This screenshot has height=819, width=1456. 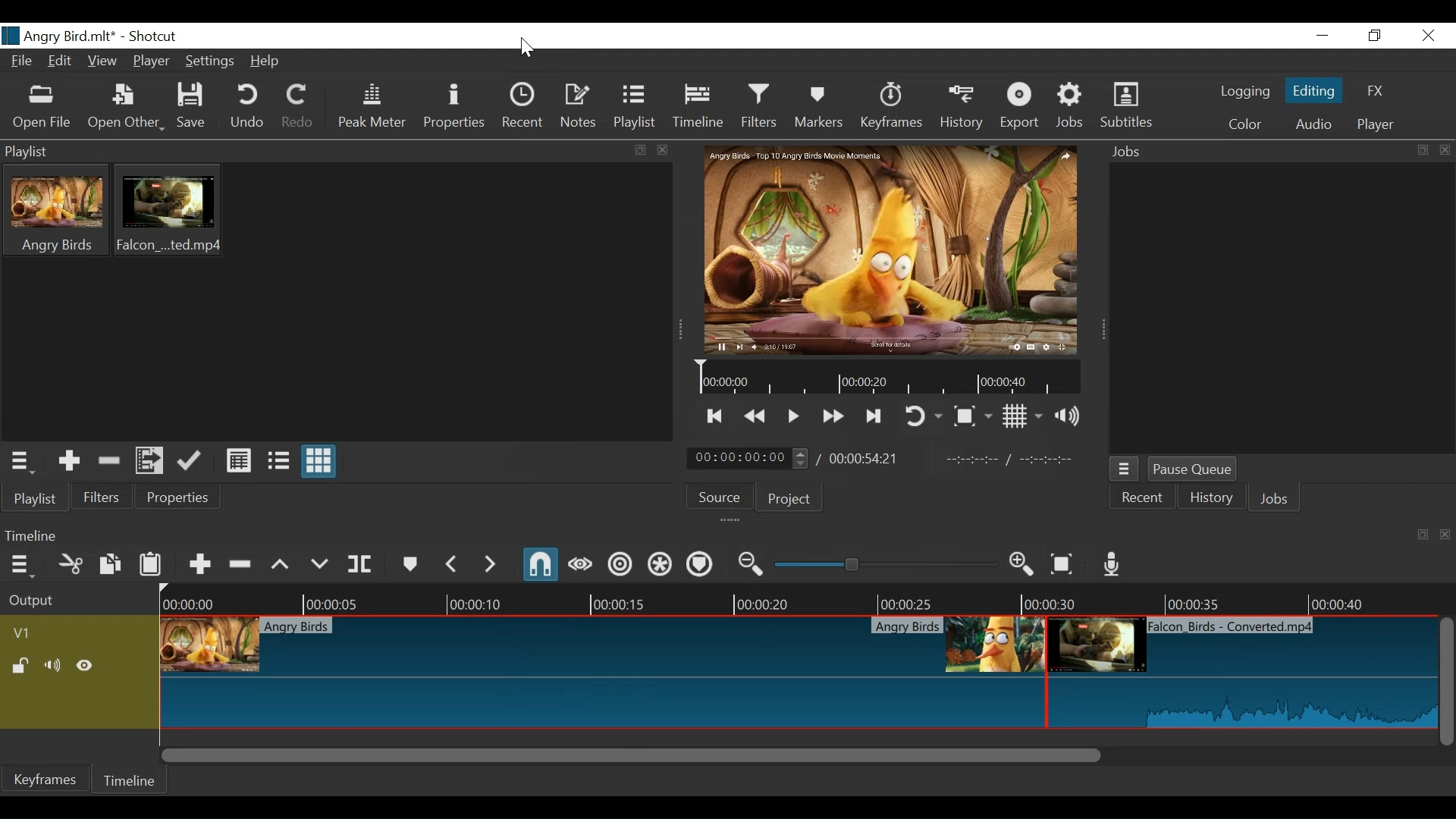 What do you see at coordinates (157, 37) in the screenshot?
I see `Shotcut` at bounding box center [157, 37].